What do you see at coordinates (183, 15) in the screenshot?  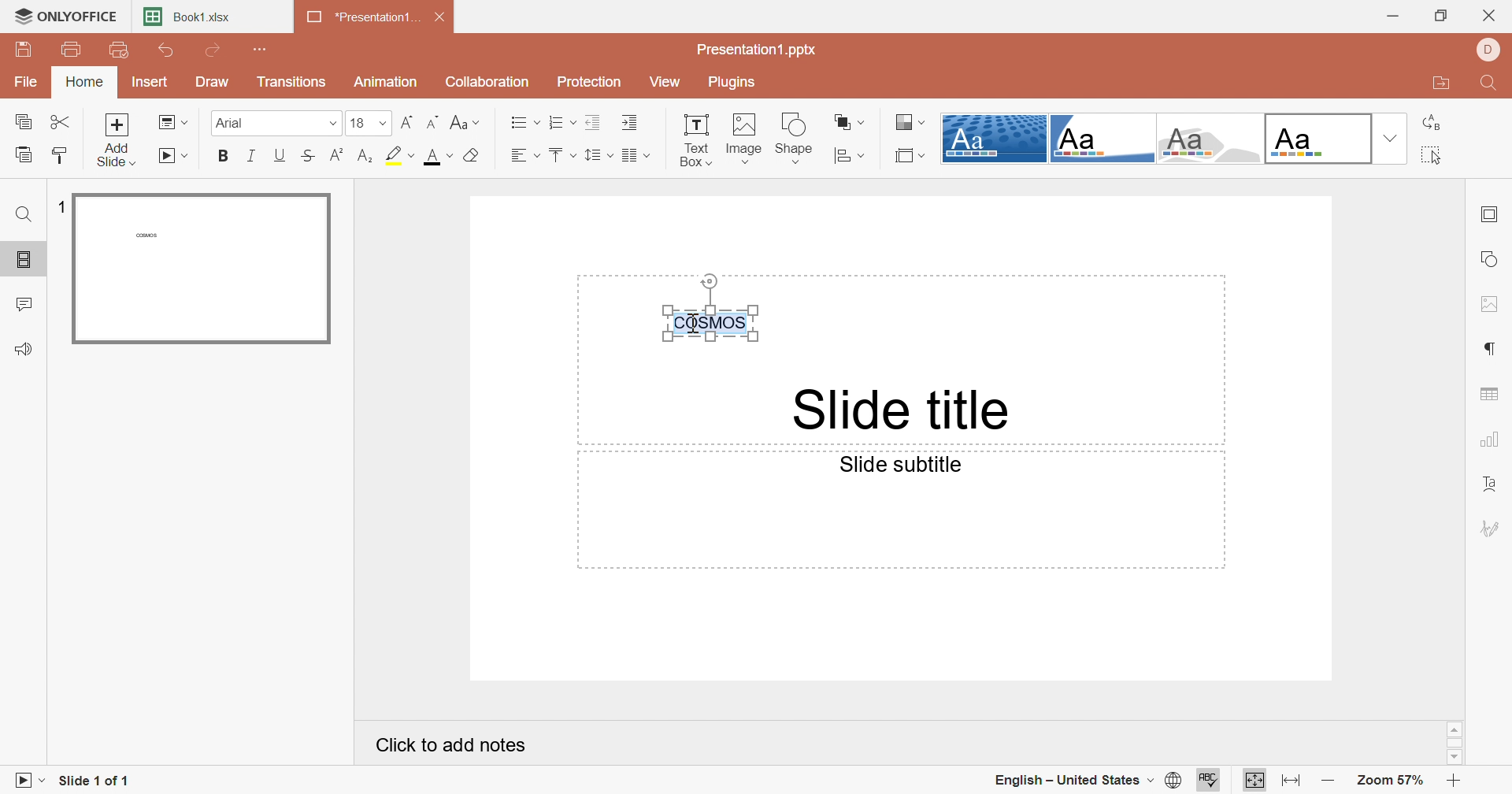 I see `Book1.xlsx` at bounding box center [183, 15].